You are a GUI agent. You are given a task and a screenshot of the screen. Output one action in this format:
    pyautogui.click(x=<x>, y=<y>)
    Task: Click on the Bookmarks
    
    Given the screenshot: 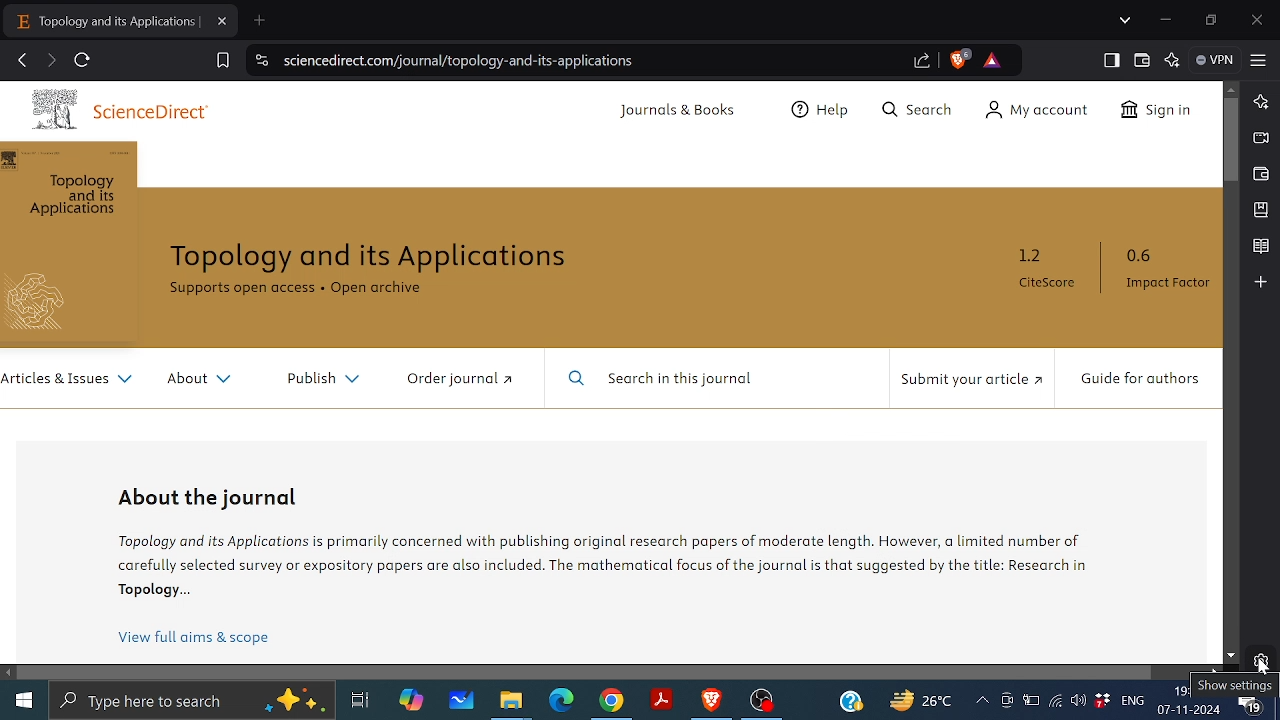 What is the action you would take?
    pyautogui.click(x=1259, y=209)
    